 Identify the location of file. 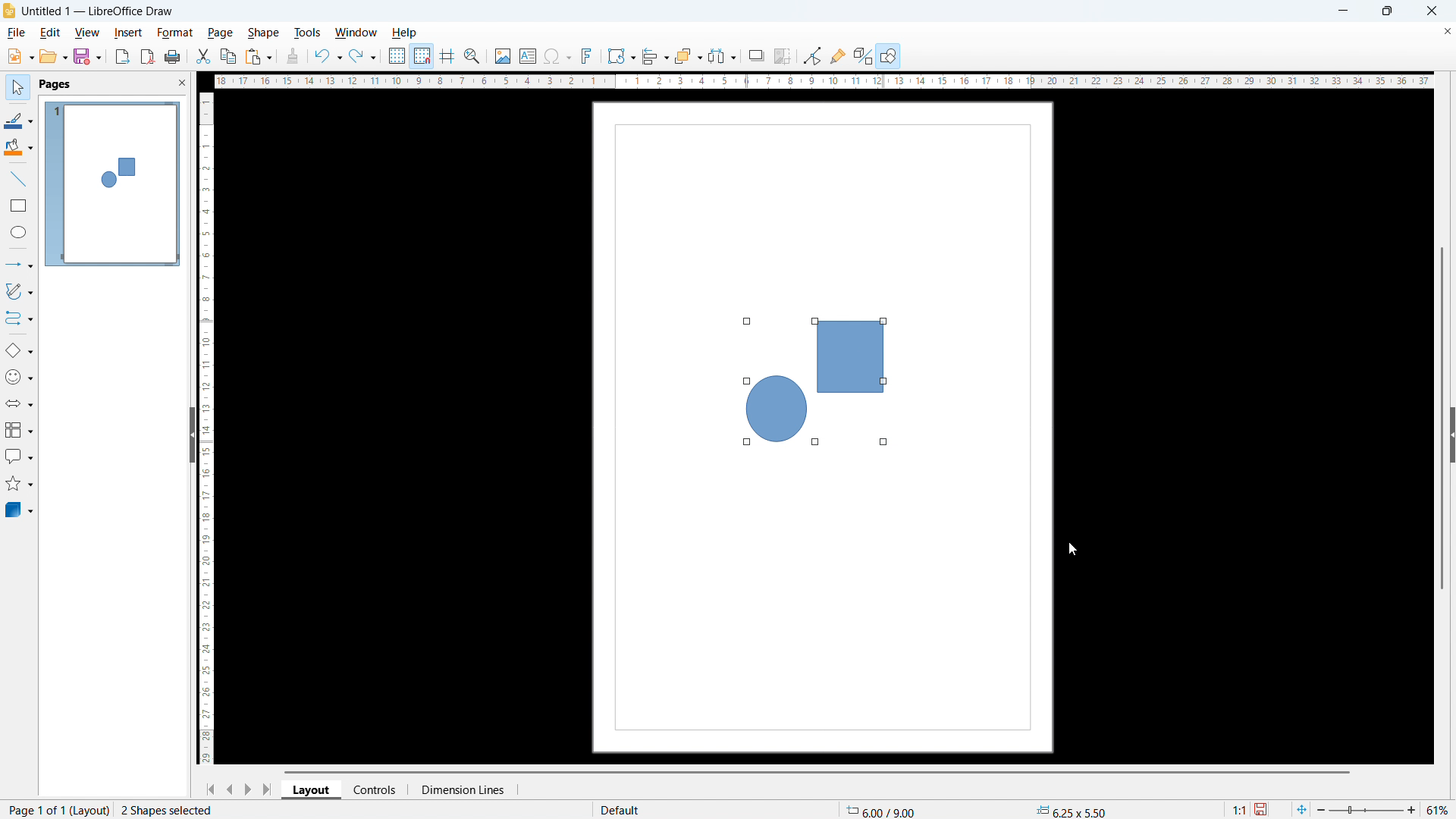
(17, 33).